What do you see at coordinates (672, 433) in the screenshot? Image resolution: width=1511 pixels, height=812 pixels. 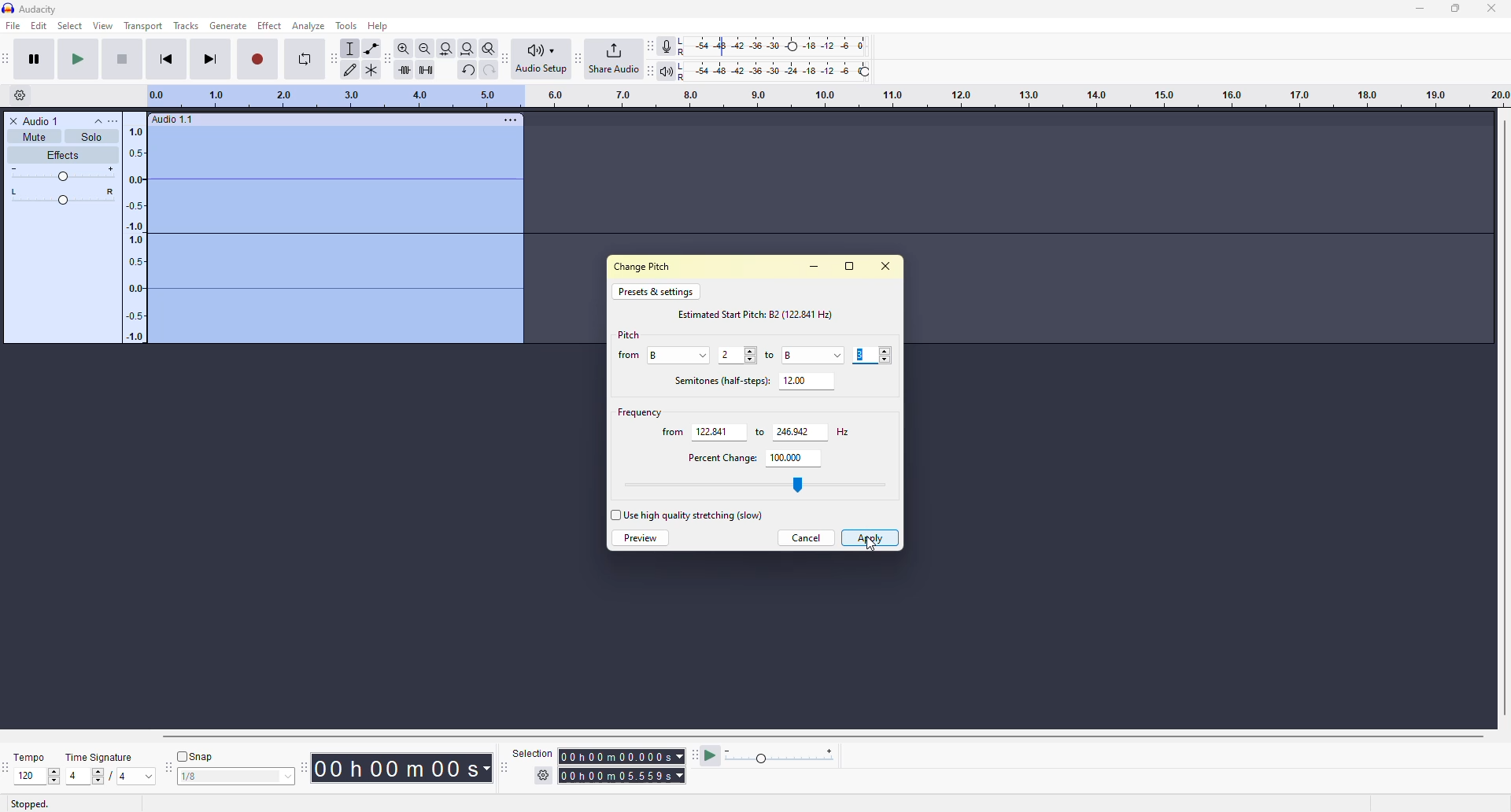 I see `from` at bounding box center [672, 433].